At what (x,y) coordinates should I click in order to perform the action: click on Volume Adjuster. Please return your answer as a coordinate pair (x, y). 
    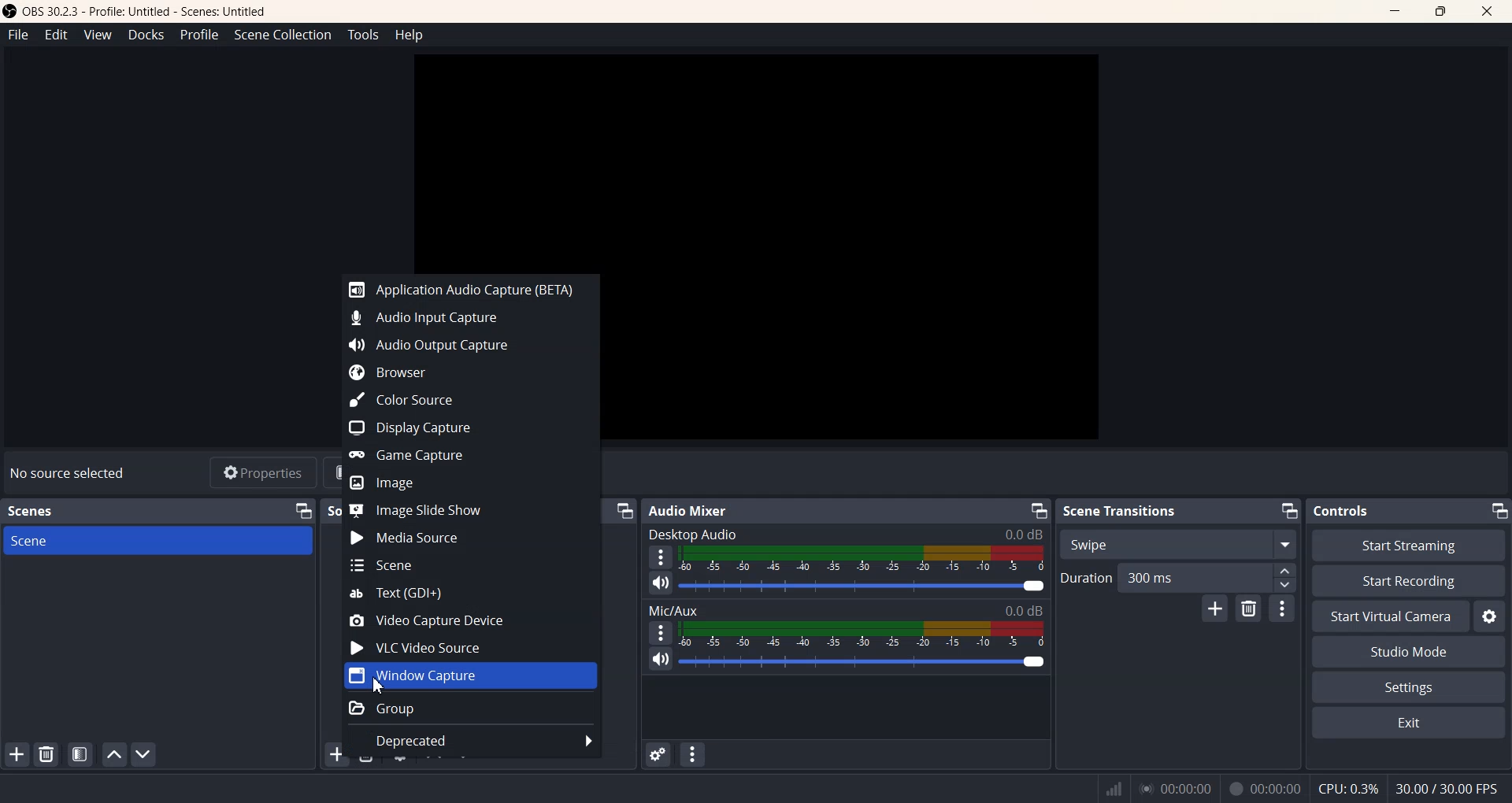
    Looking at the image, I should click on (862, 586).